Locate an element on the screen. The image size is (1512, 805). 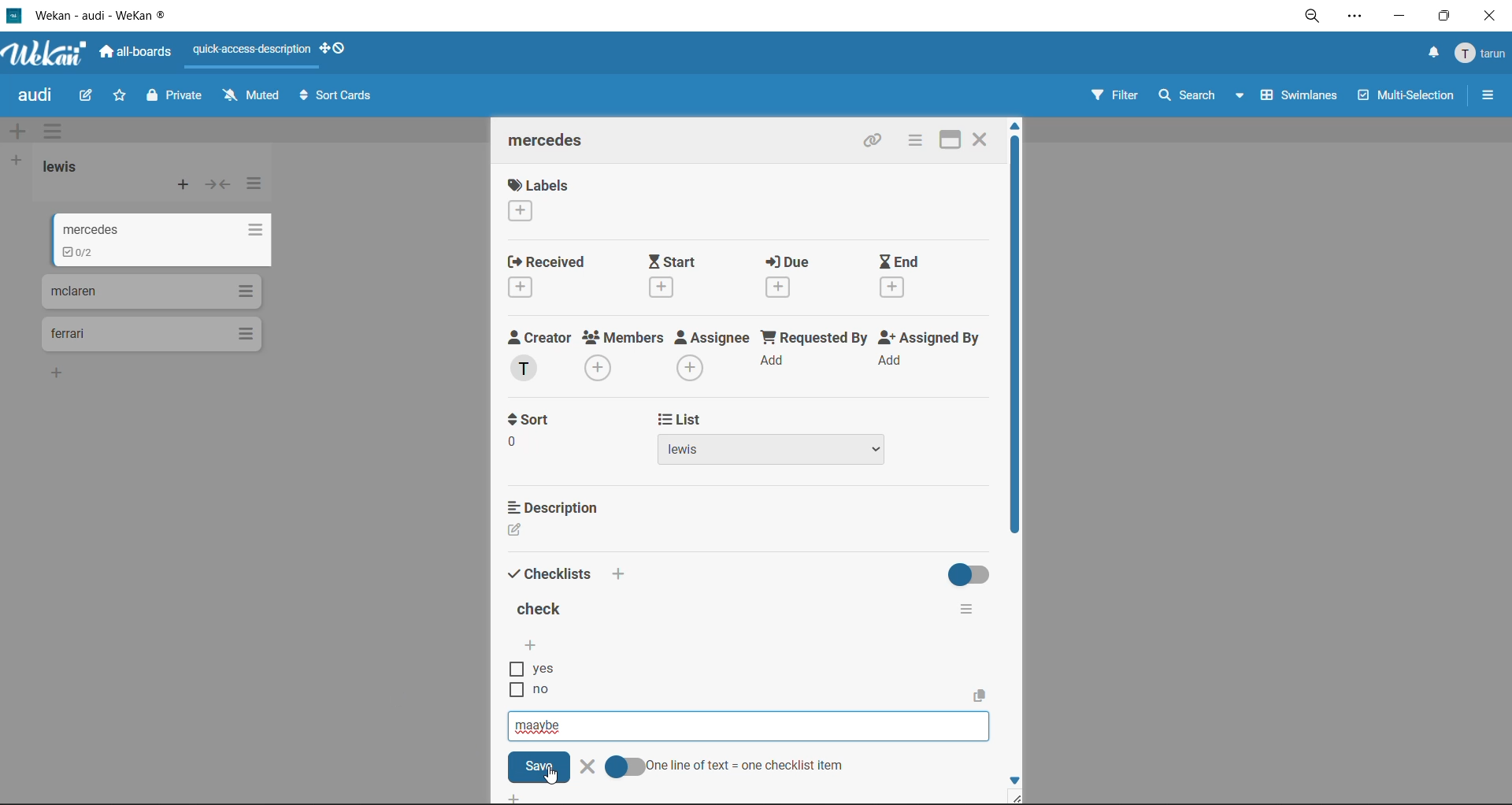
Save is located at coordinates (542, 766).